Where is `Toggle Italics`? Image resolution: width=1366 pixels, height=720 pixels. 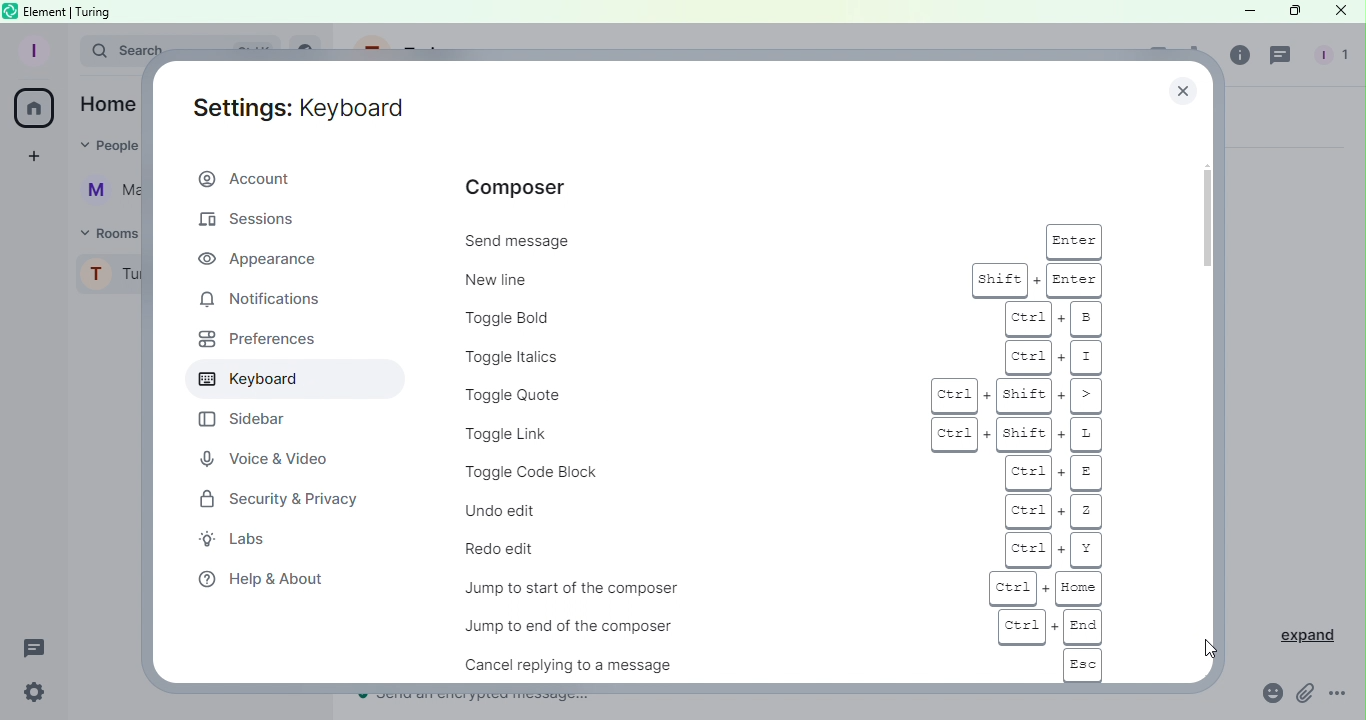 Toggle Italics is located at coordinates (677, 355).